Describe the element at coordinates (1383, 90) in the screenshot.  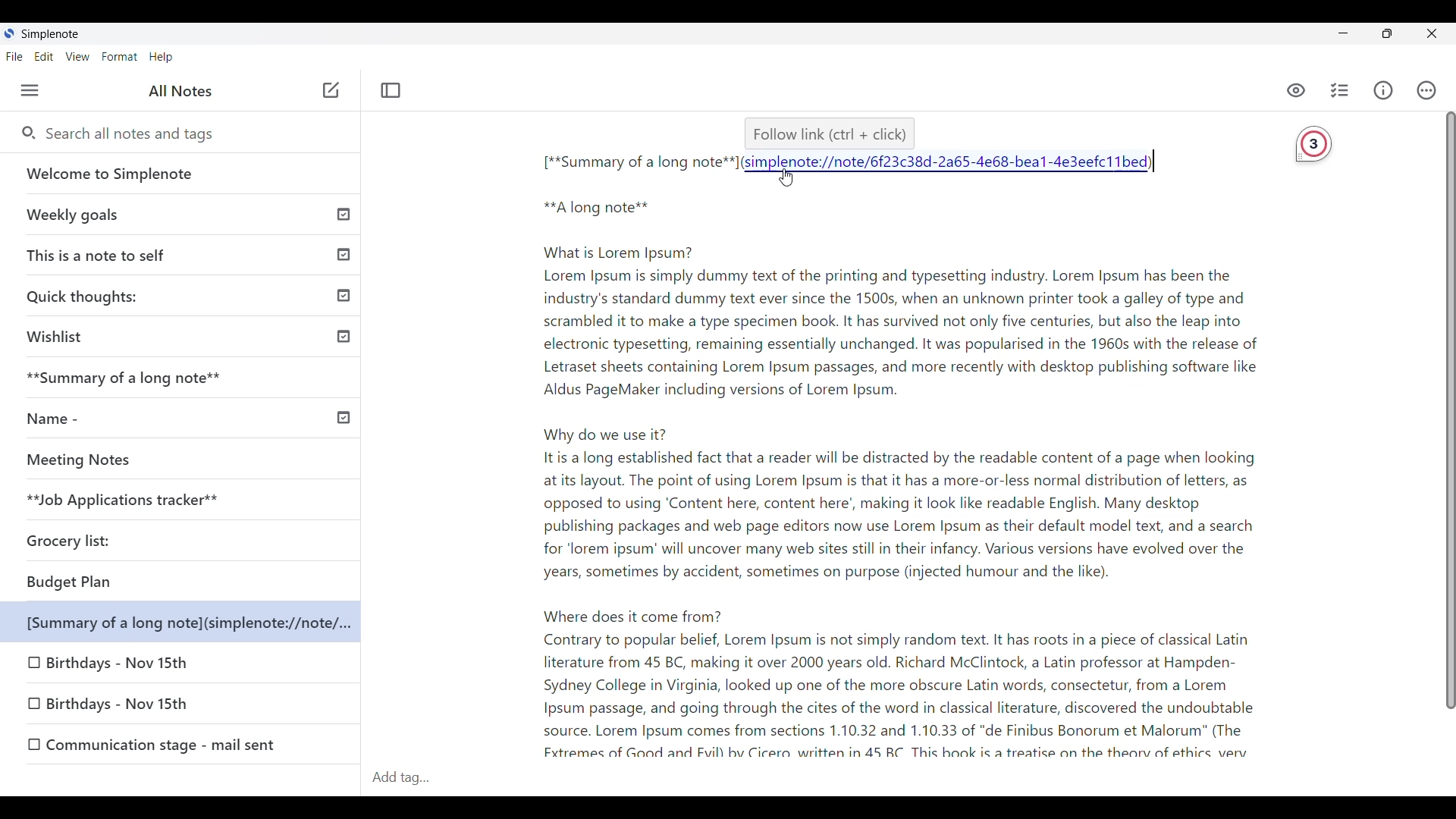
I see `Info` at that location.